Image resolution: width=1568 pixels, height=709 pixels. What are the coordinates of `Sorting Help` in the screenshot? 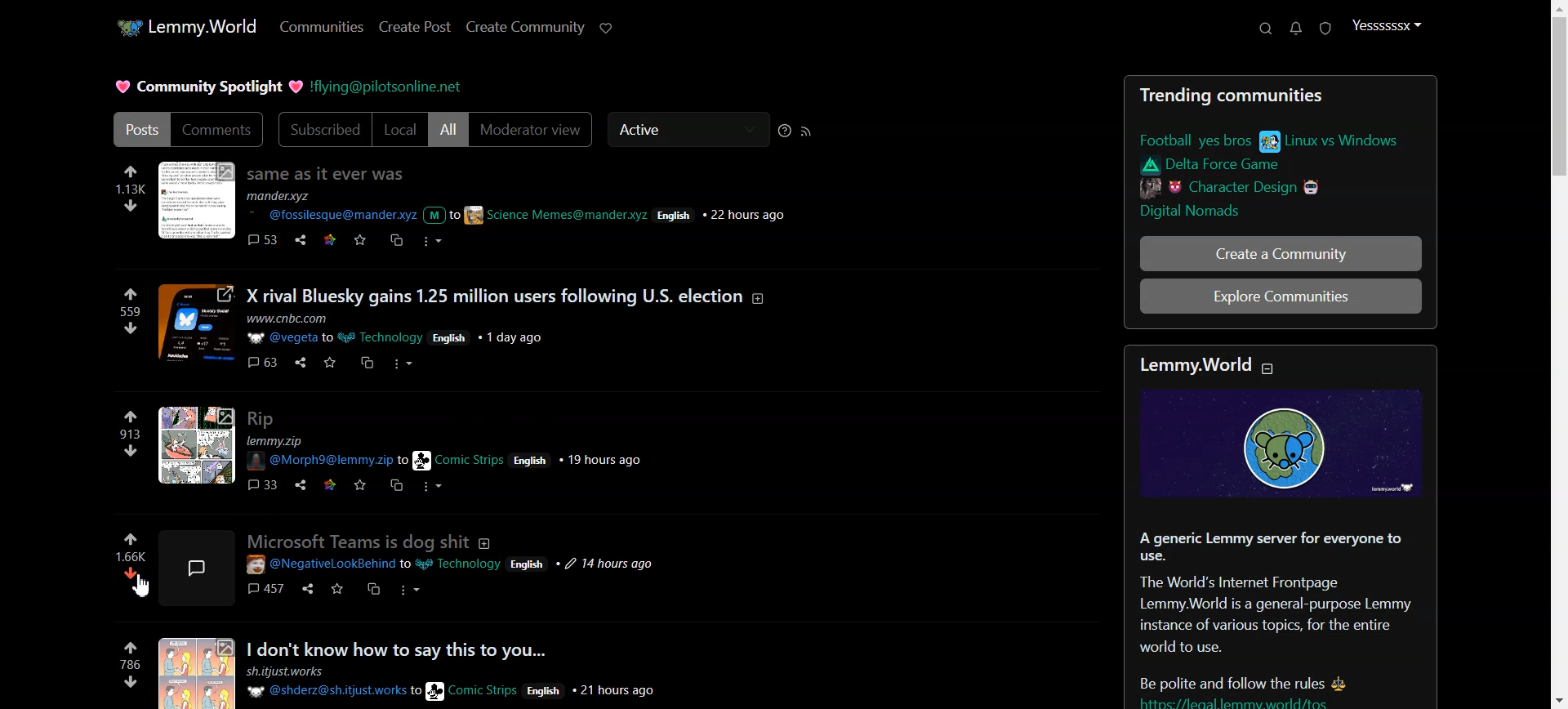 It's located at (784, 131).